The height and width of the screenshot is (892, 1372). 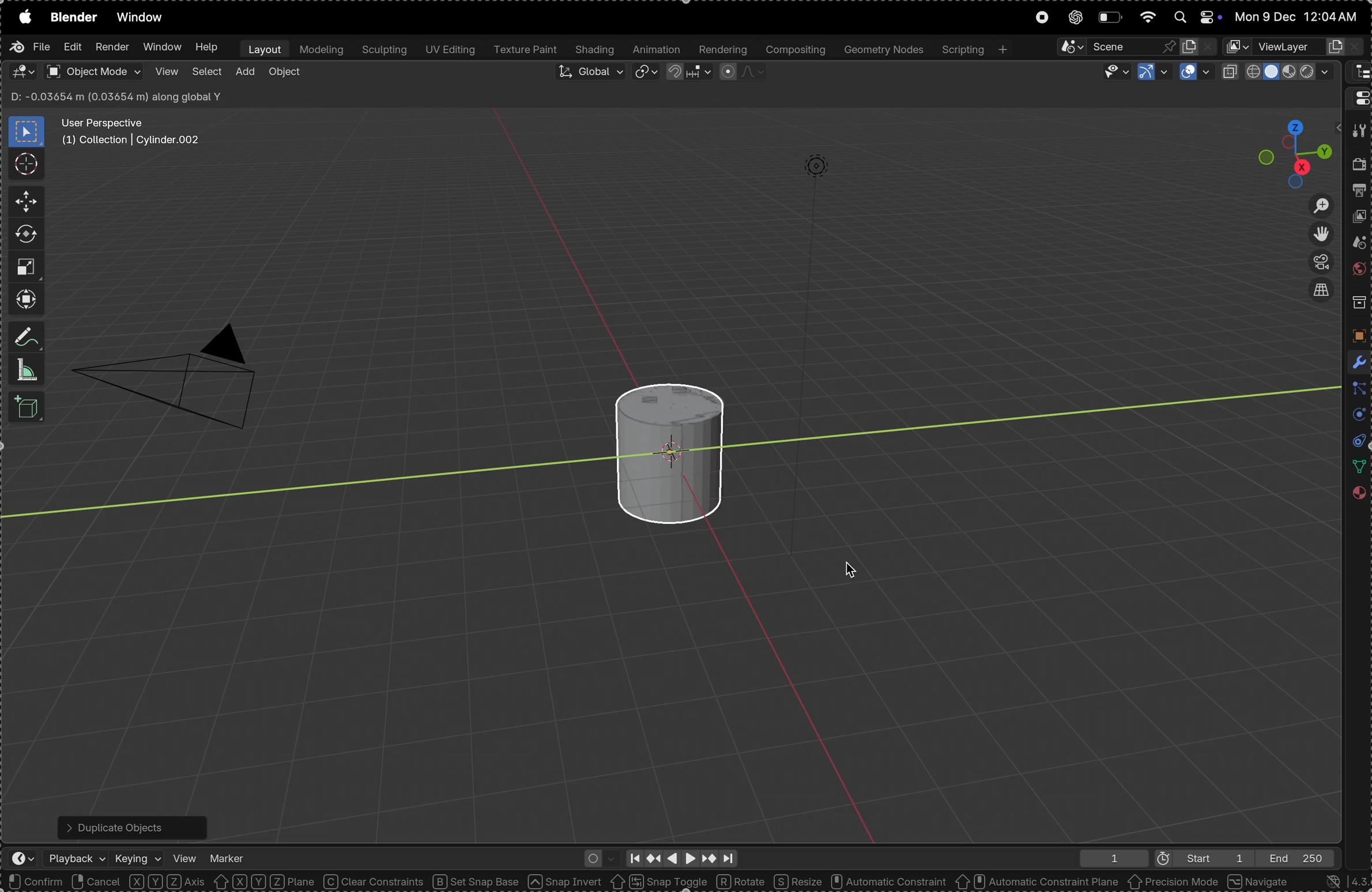 I want to click on vector layer, so click(x=1294, y=47).